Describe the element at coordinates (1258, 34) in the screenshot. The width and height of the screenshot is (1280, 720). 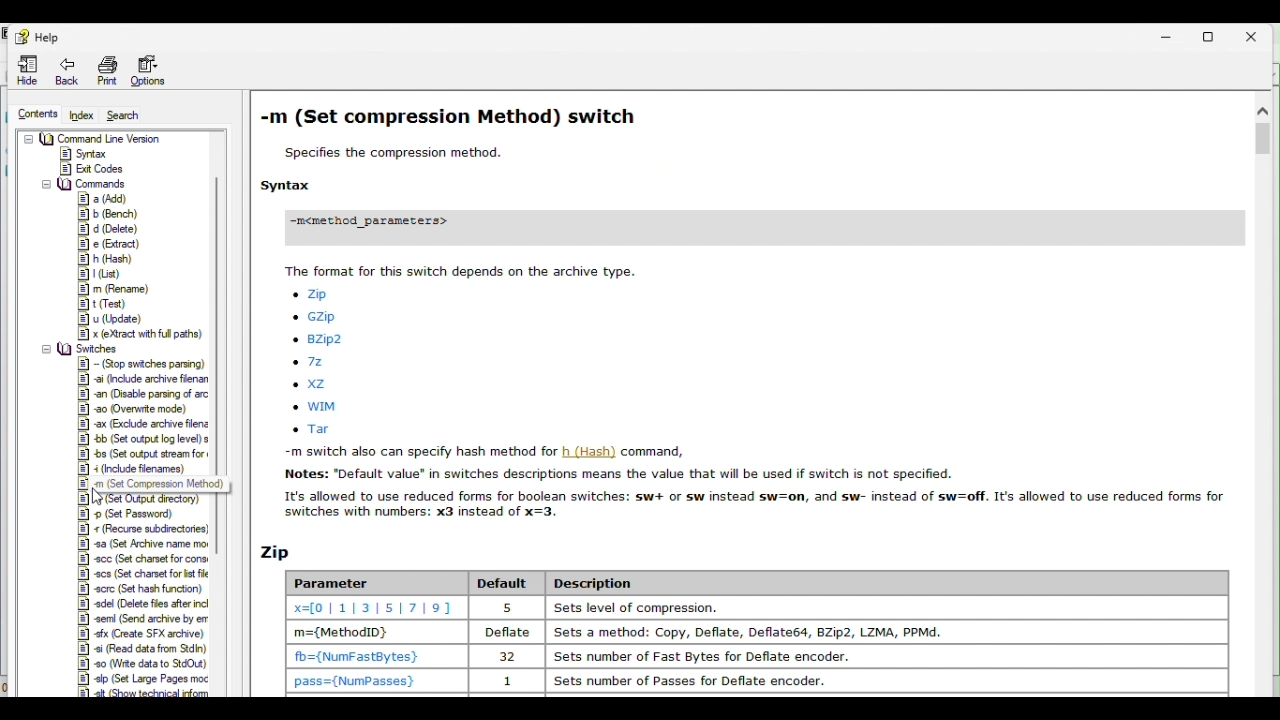
I see `Close` at that location.